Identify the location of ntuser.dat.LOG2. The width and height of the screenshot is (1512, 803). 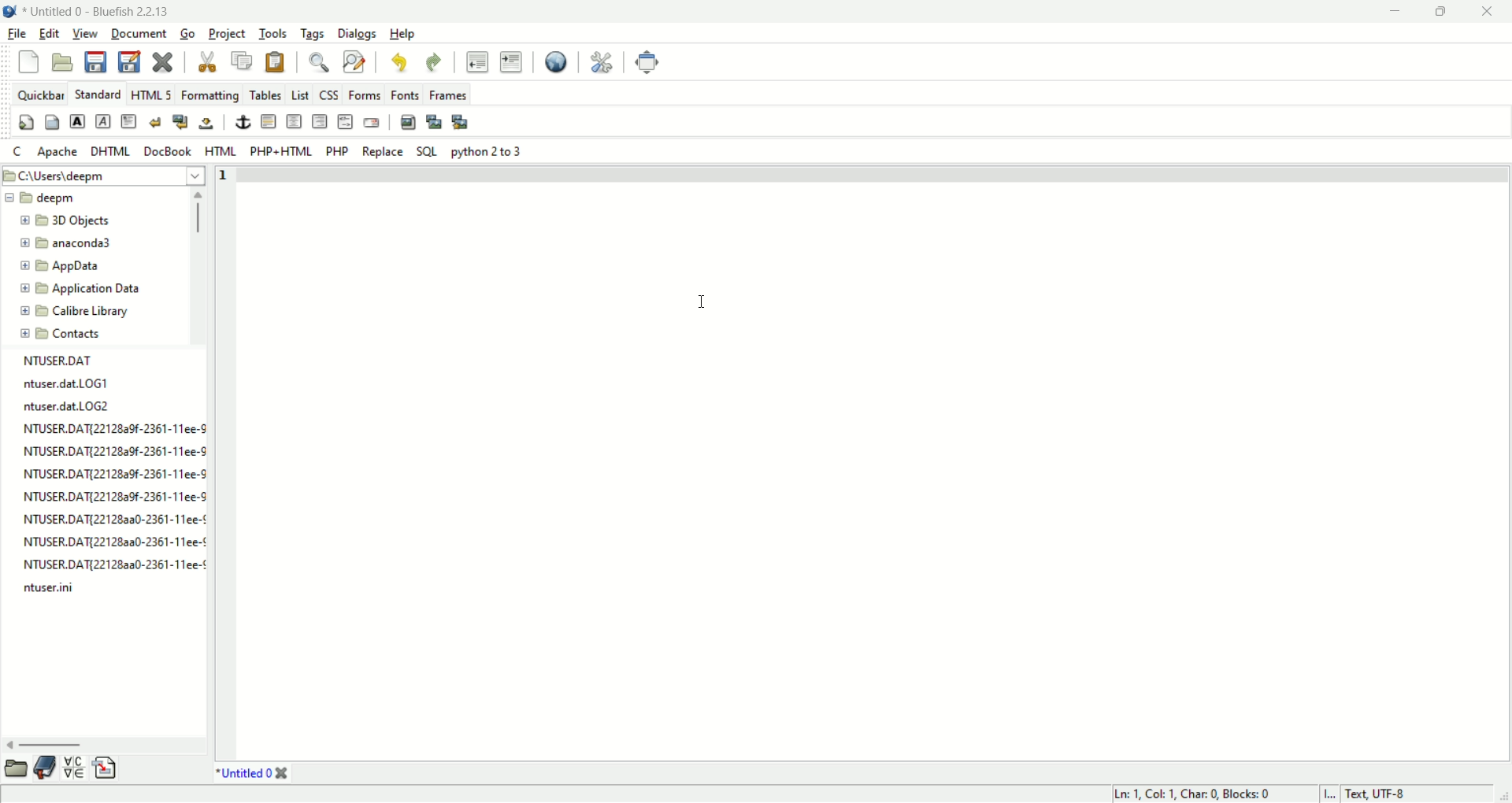
(67, 407).